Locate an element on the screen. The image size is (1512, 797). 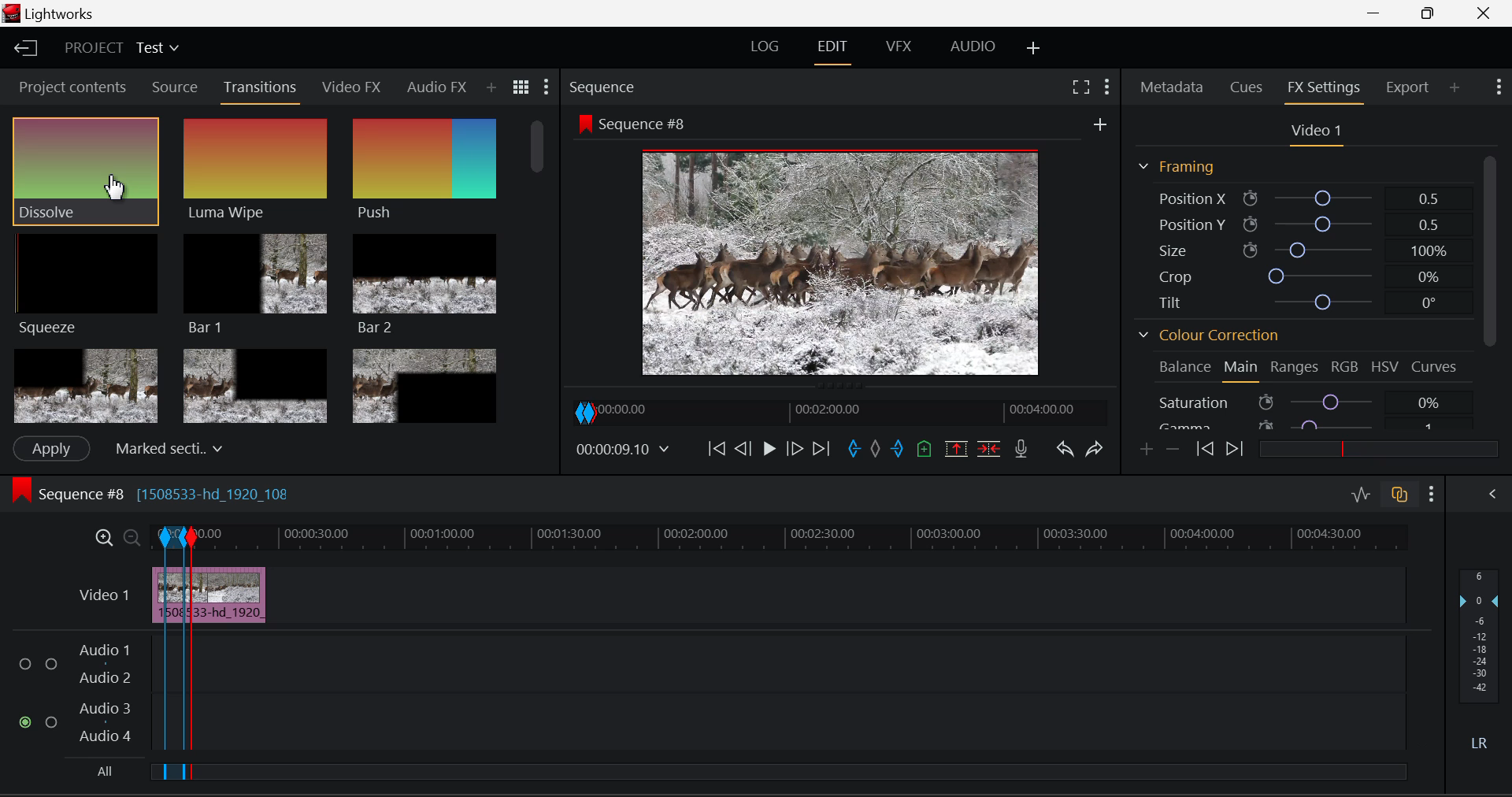
Export is located at coordinates (1411, 87).